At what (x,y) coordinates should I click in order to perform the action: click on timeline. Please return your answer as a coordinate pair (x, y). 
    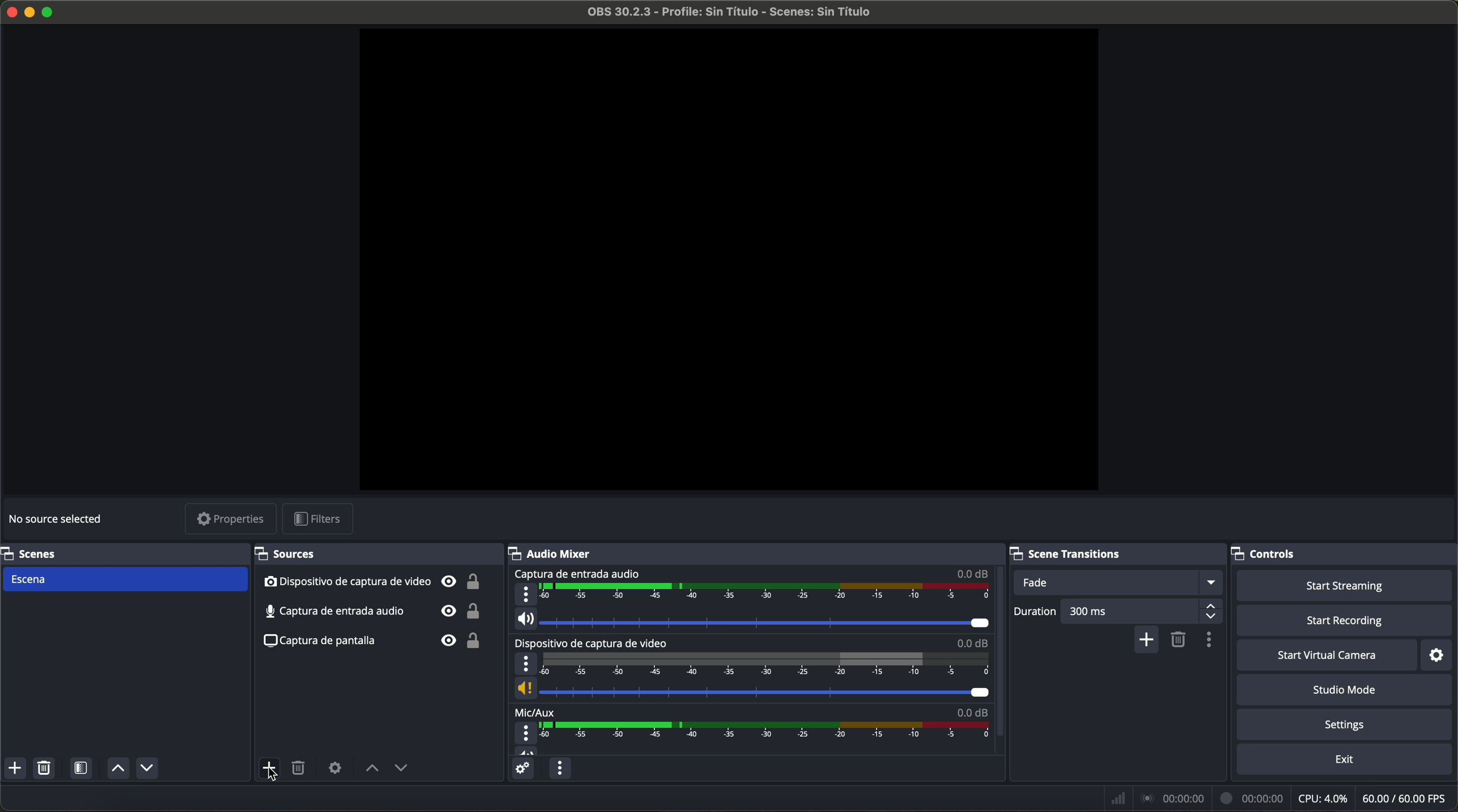
    Looking at the image, I should click on (769, 731).